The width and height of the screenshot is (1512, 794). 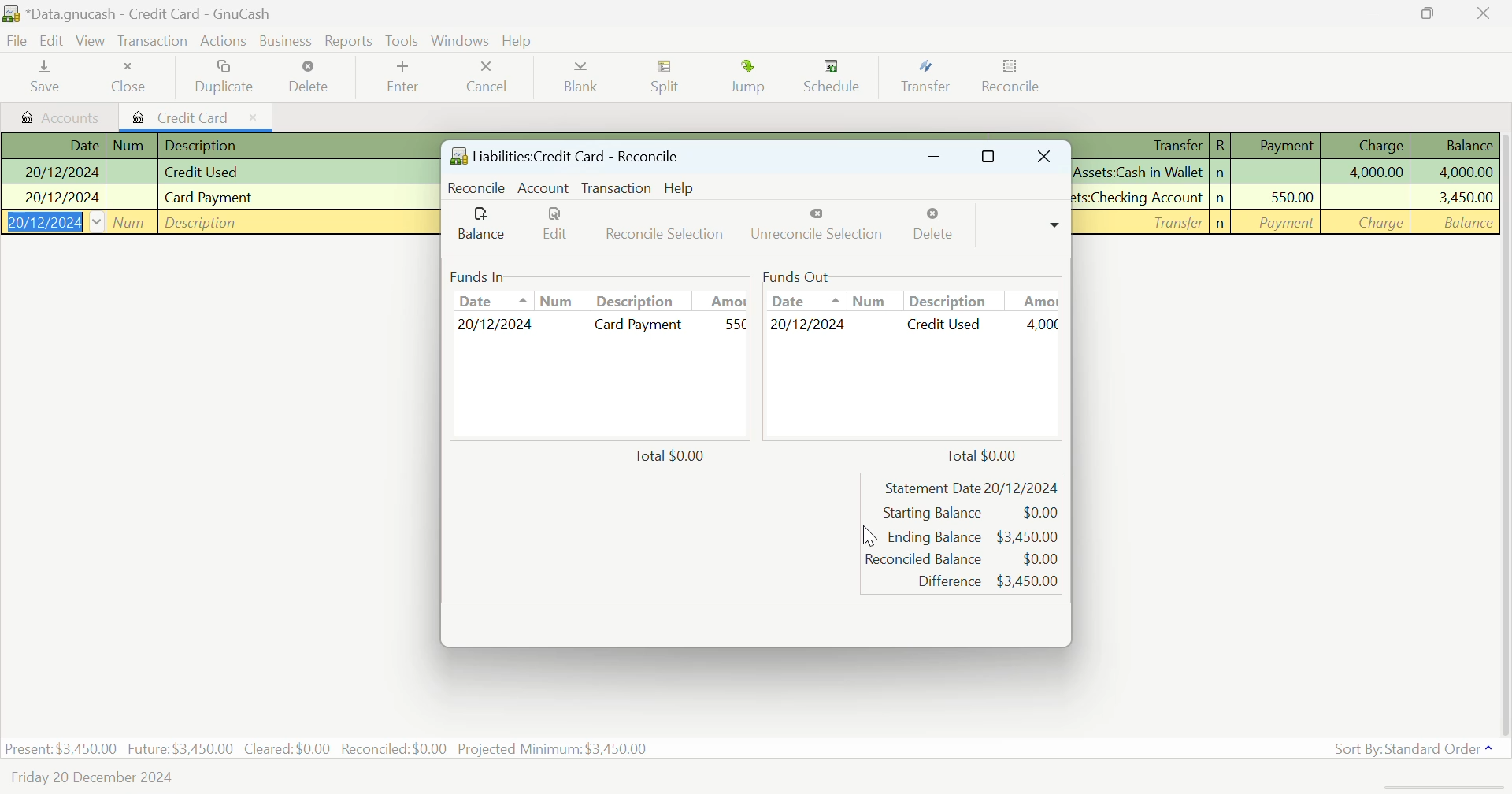 I want to click on Accounts, so click(x=57, y=117).